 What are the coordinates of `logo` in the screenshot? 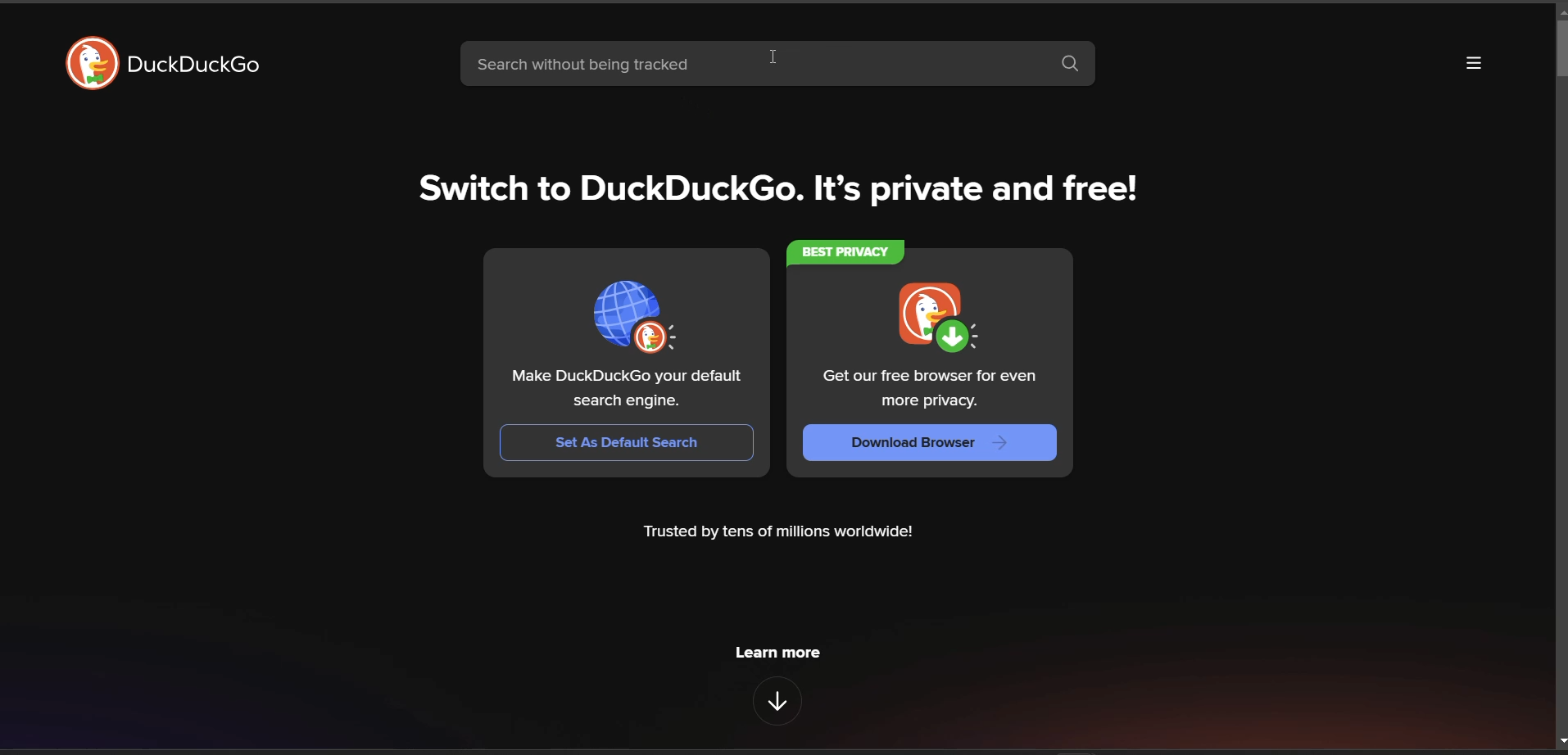 It's located at (933, 317).